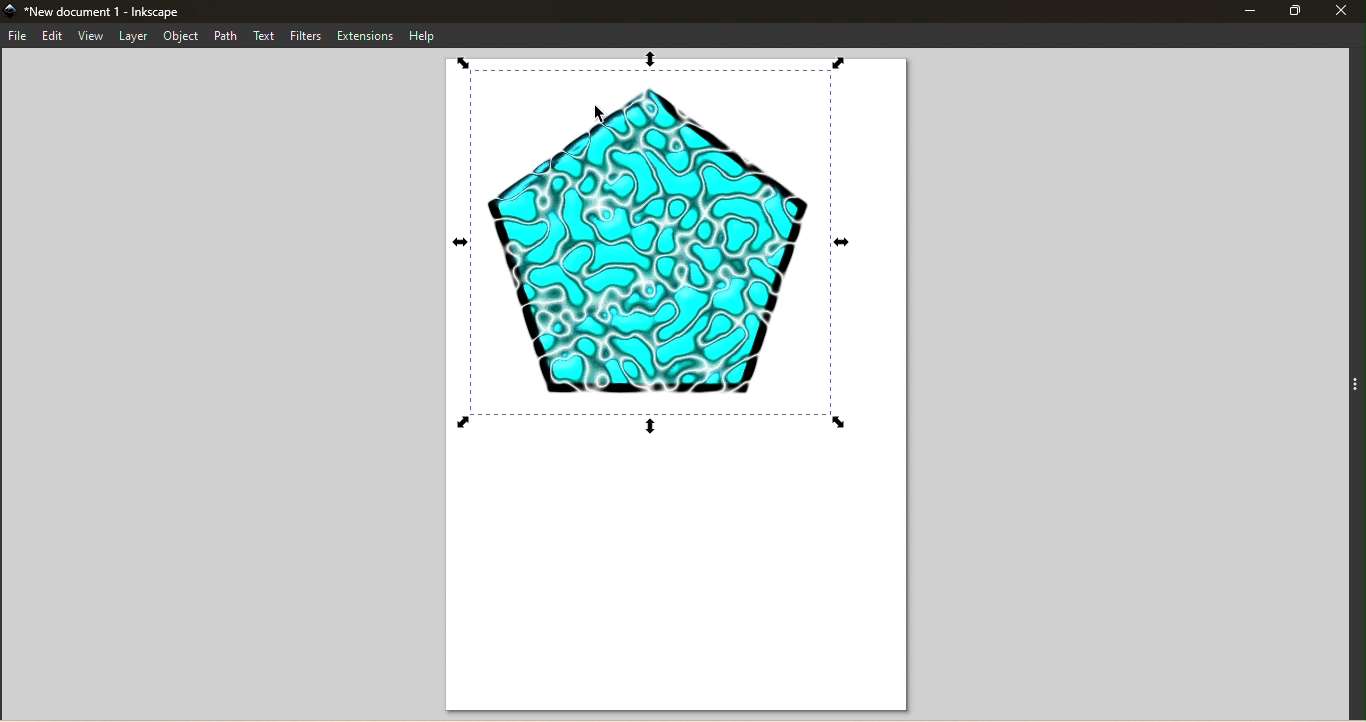 This screenshot has width=1366, height=722. What do you see at coordinates (10, 11) in the screenshot?
I see `app icon` at bounding box center [10, 11].